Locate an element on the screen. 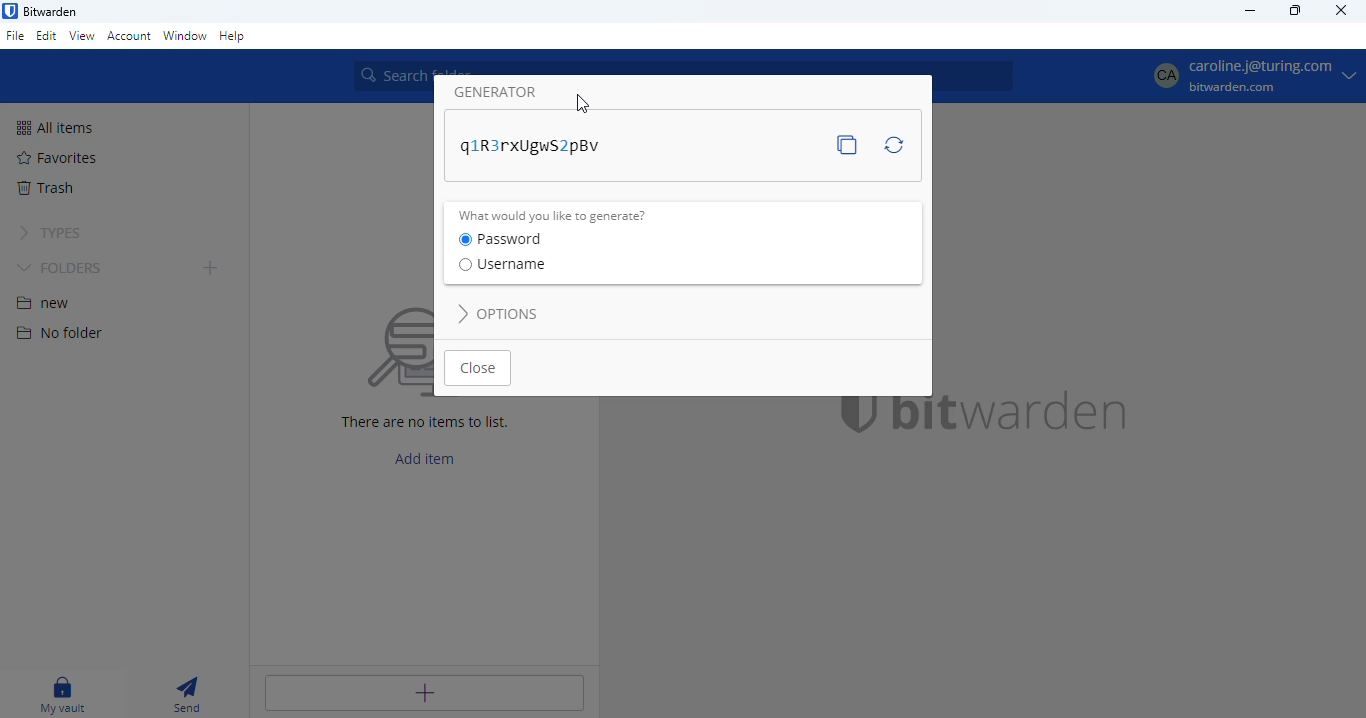 Image resolution: width=1366 pixels, height=718 pixels. no folder is located at coordinates (58, 332).